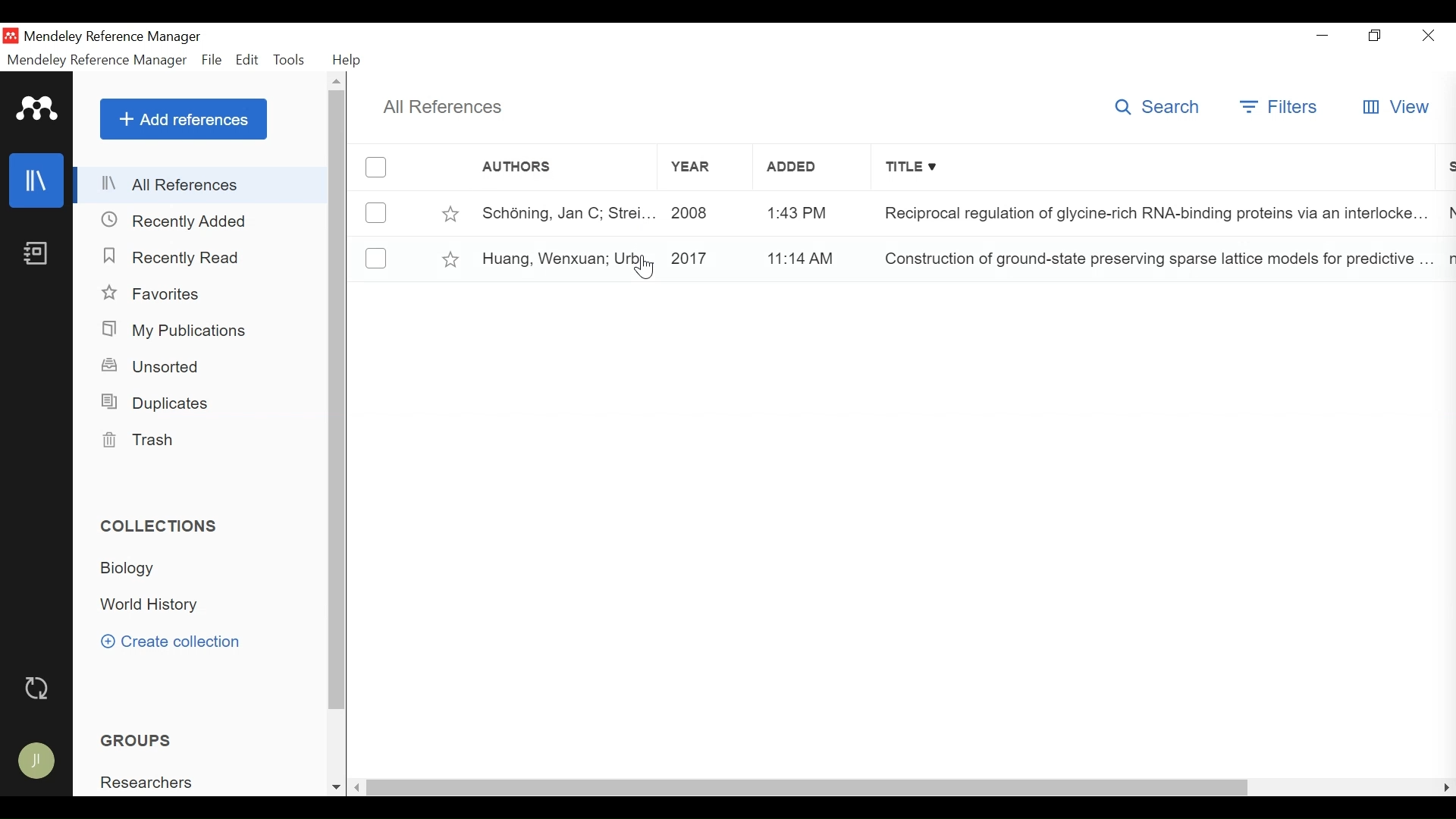 Image resolution: width=1456 pixels, height=819 pixels. What do you see at coordinates (10, 36) in the screenshot?
I see `Mendeley Desktop Icon` at bounding box center [10, 36].